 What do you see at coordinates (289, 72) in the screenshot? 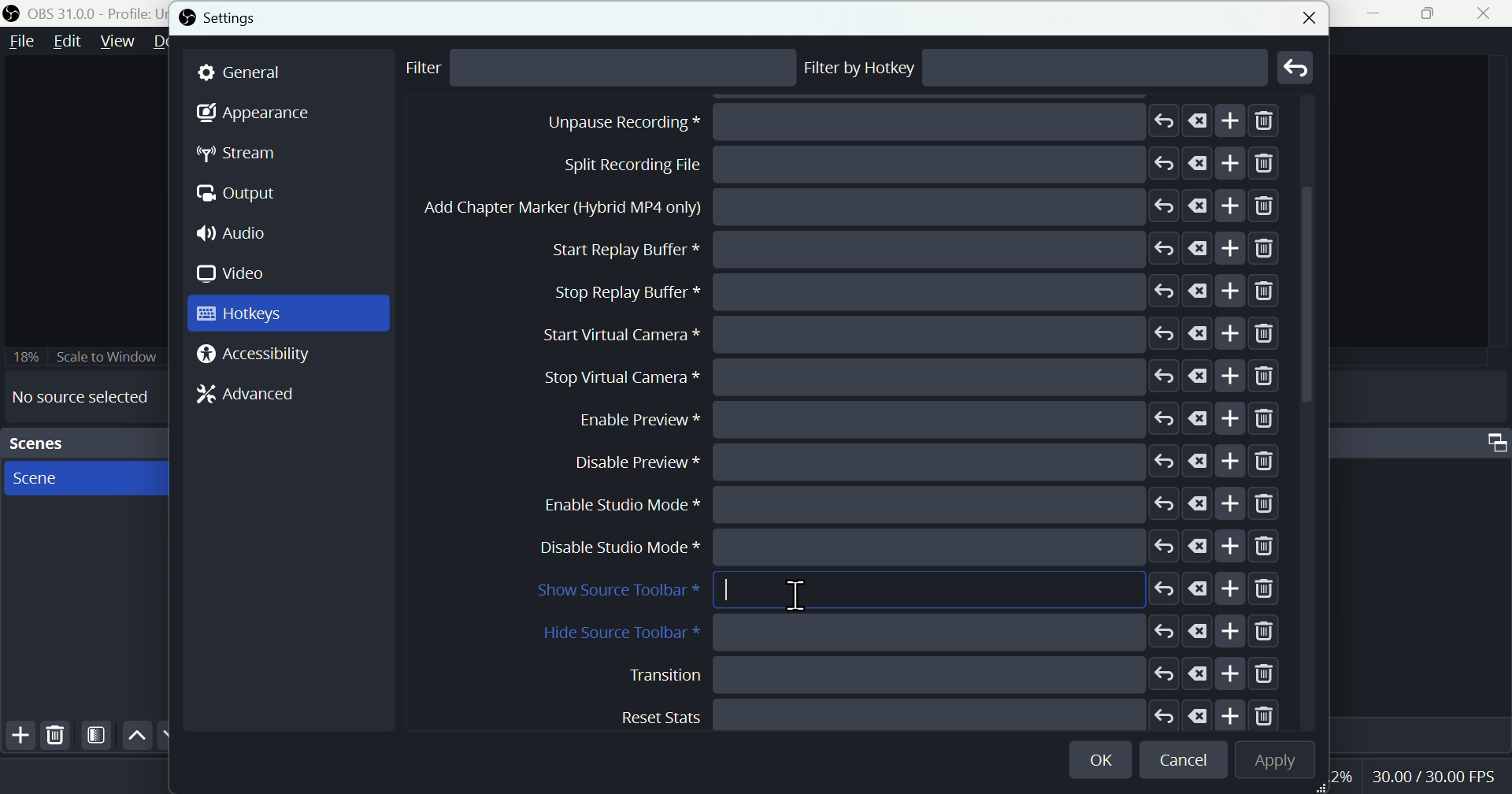
I see `general` at bounding box center [289, 72].